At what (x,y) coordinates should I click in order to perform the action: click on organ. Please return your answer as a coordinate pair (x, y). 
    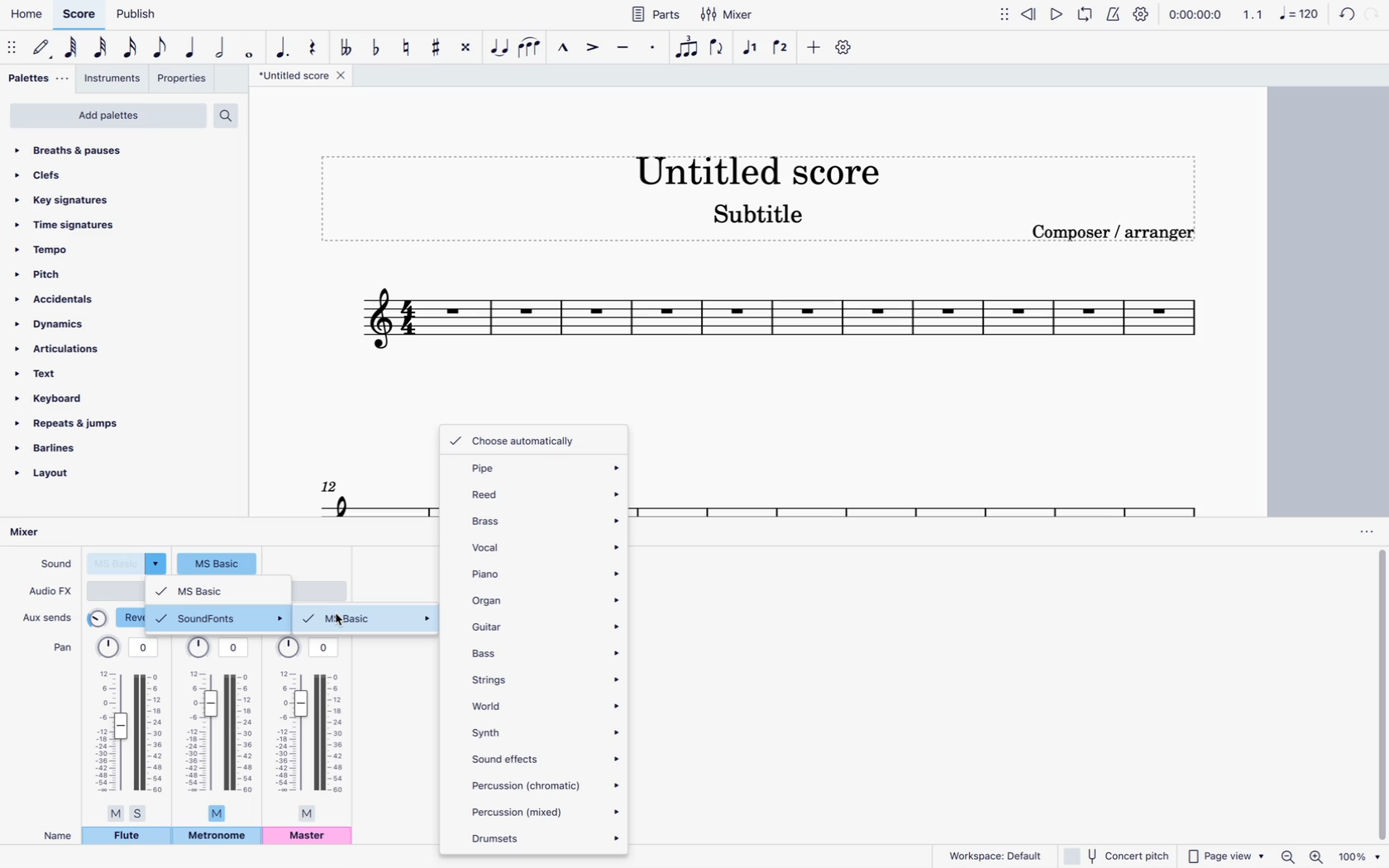
    Looking at the image, I should click on (546, 599).